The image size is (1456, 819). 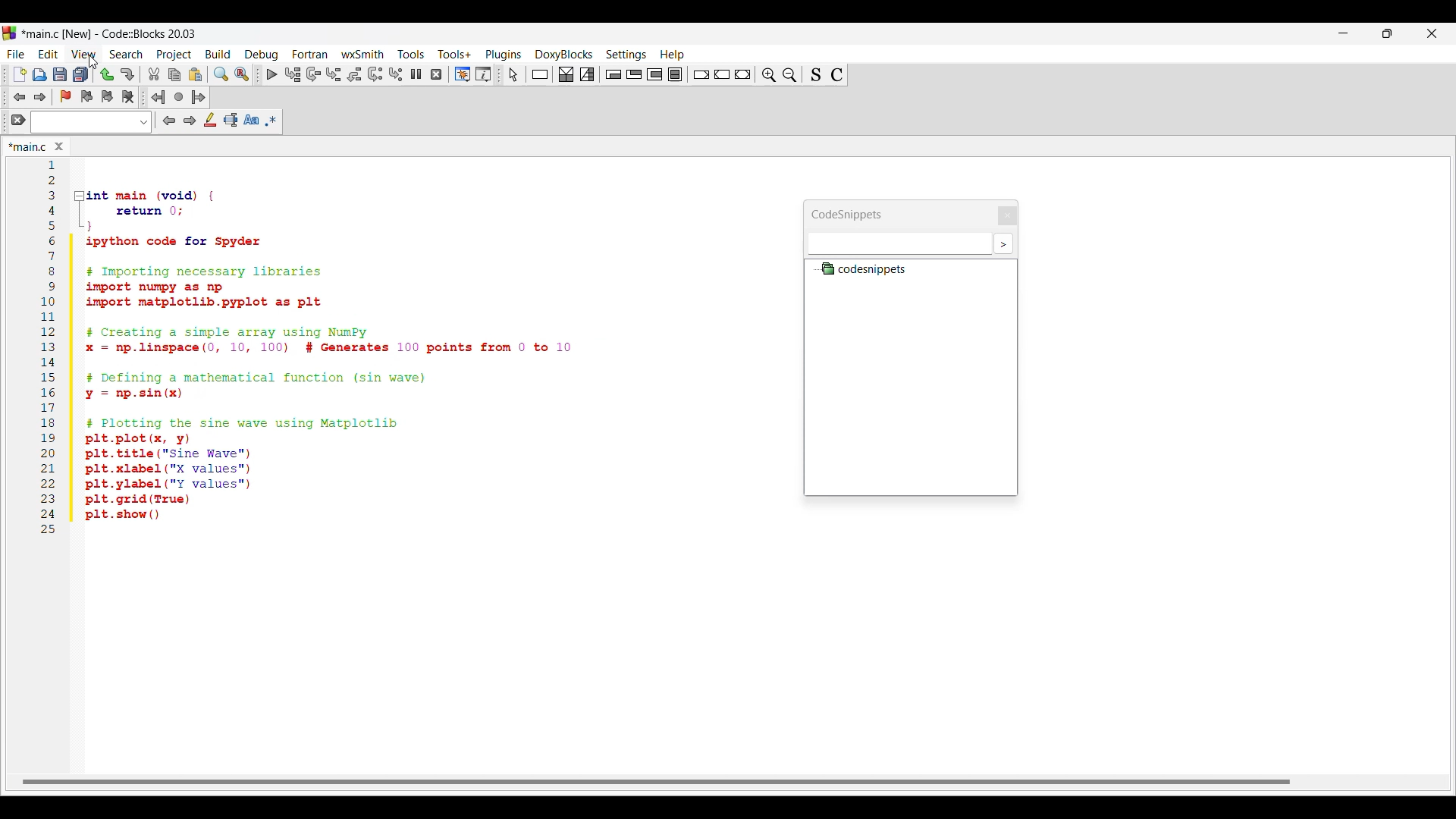 What do you see at coordinates (869, 270) in the screenshot?
I see `Codesnippets file` at bounding box center [869, 270].